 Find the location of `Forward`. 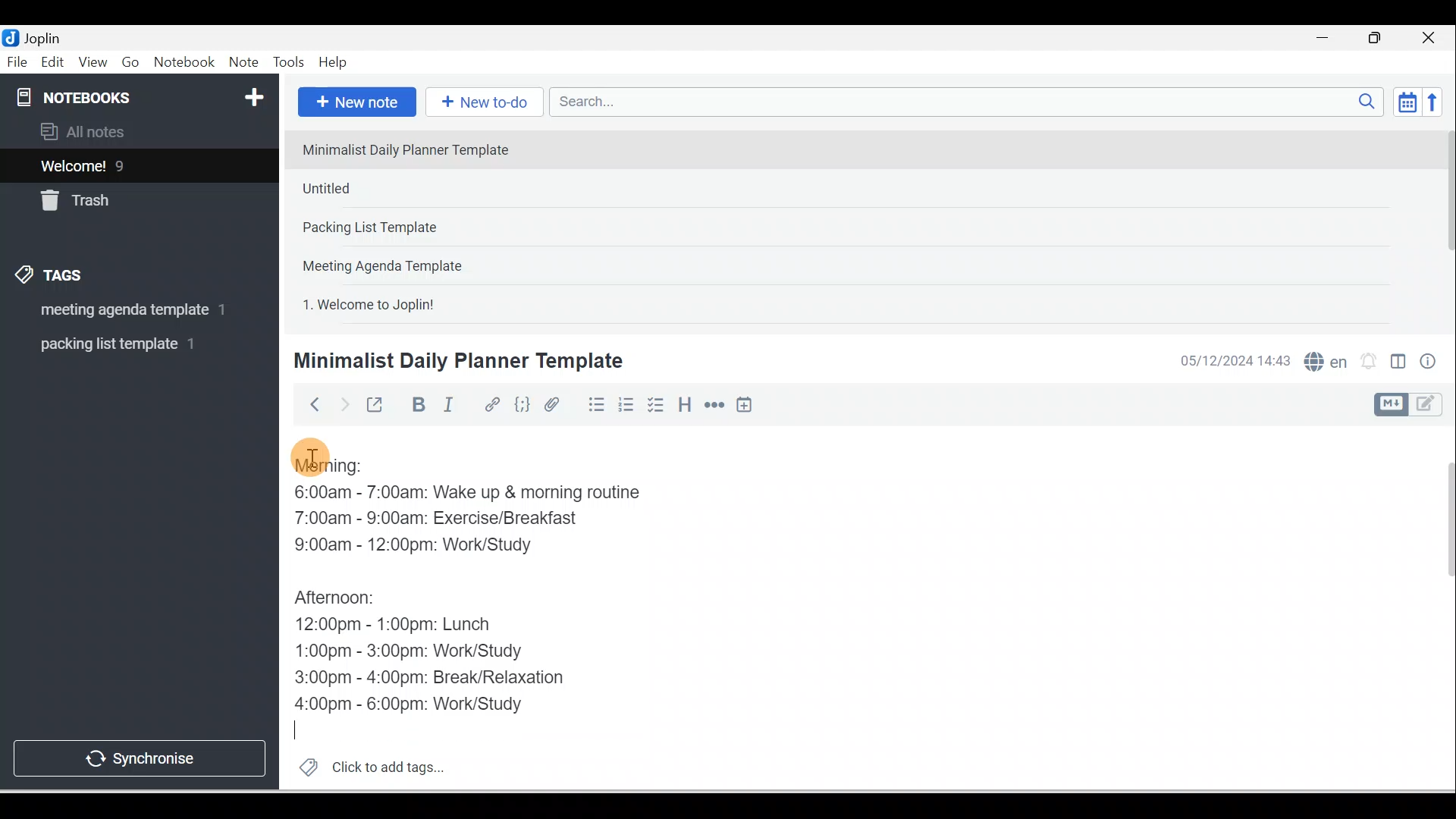

Forward is located at coordinates (343, 403).